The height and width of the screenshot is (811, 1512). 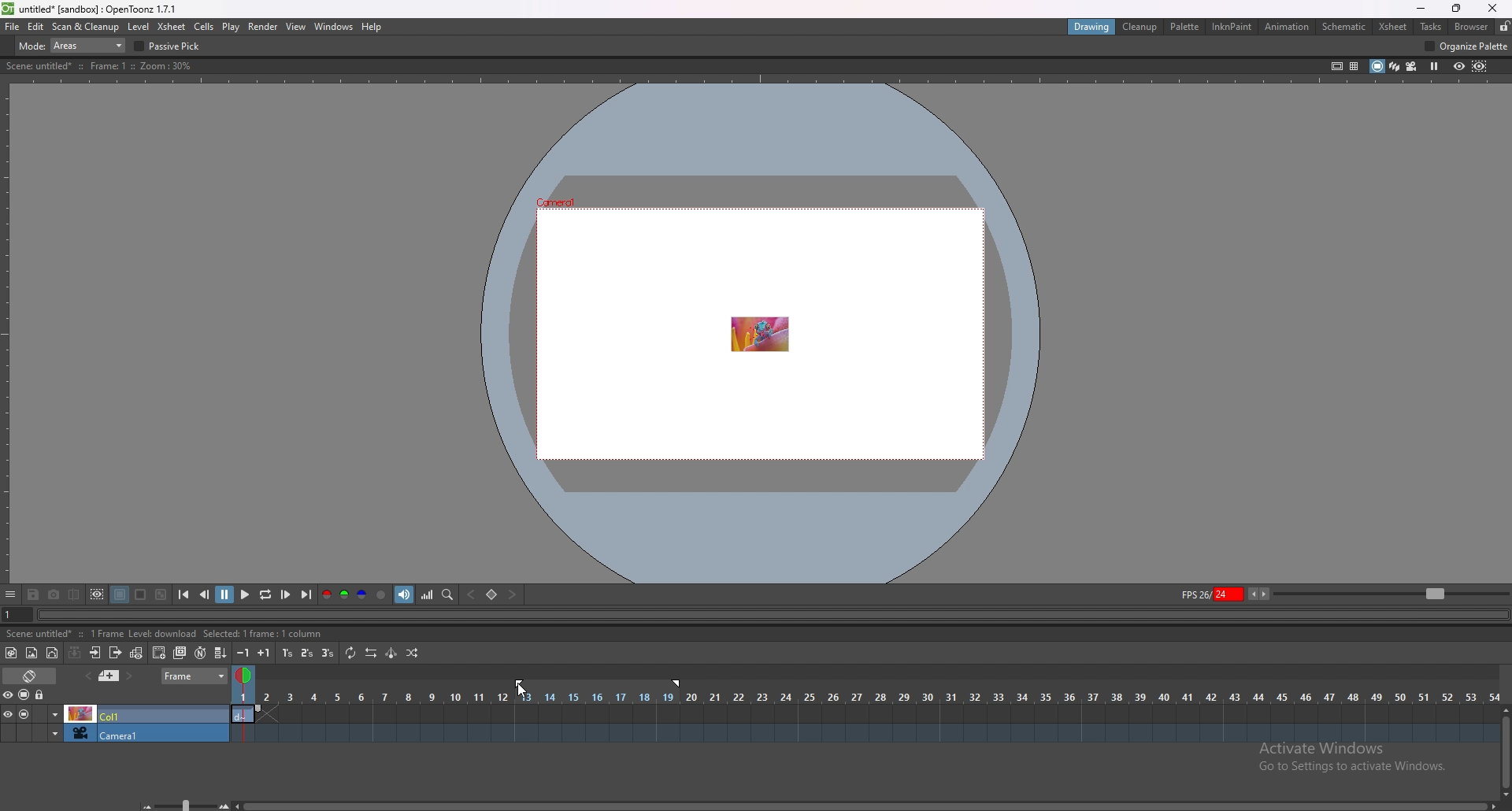 What do you see at coordinates (428, 594) in the screenshot?
I see `histogram` at bounding box center [428, 594].